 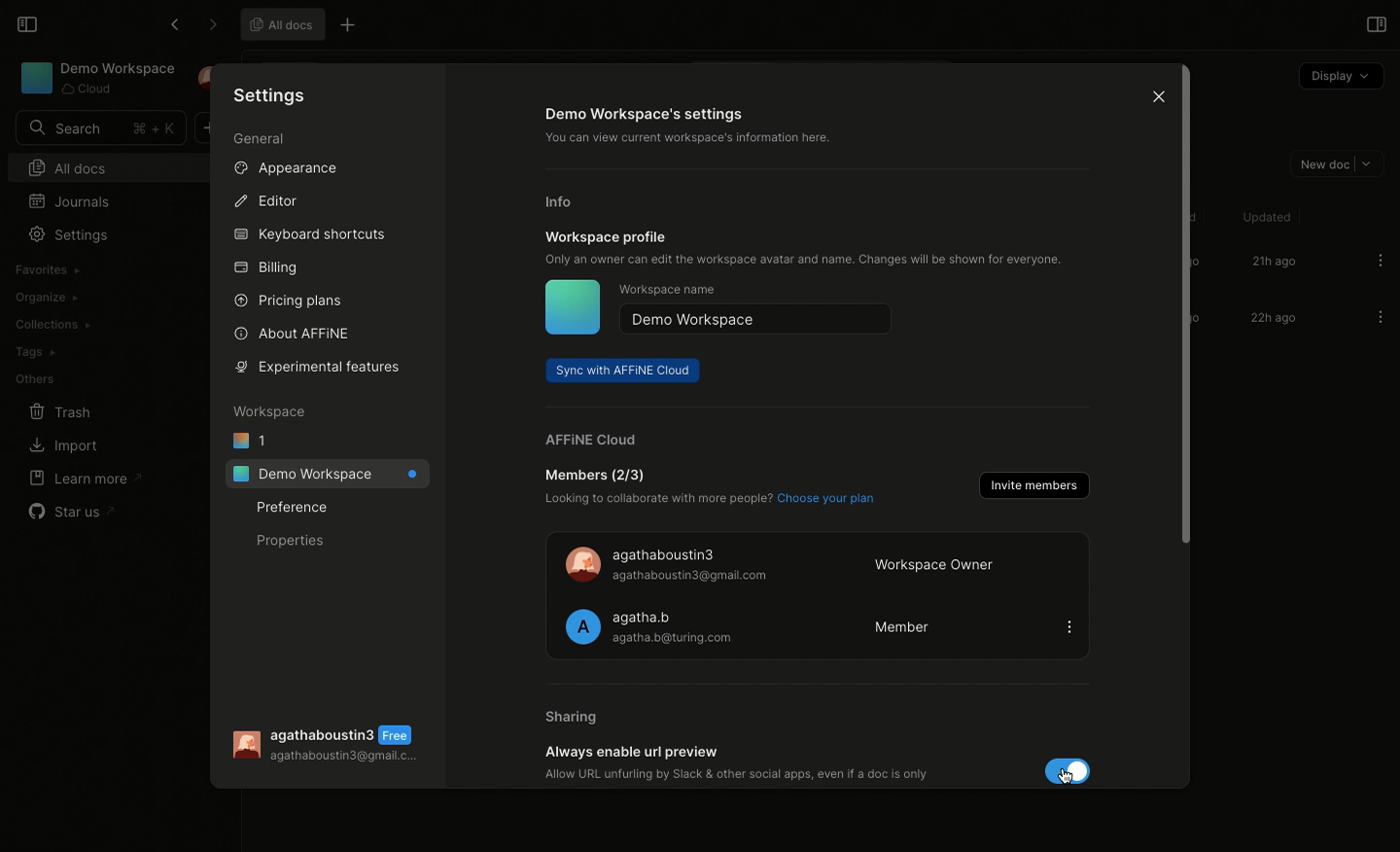 I want to click on Scroll, so click(x=1184, y=319).